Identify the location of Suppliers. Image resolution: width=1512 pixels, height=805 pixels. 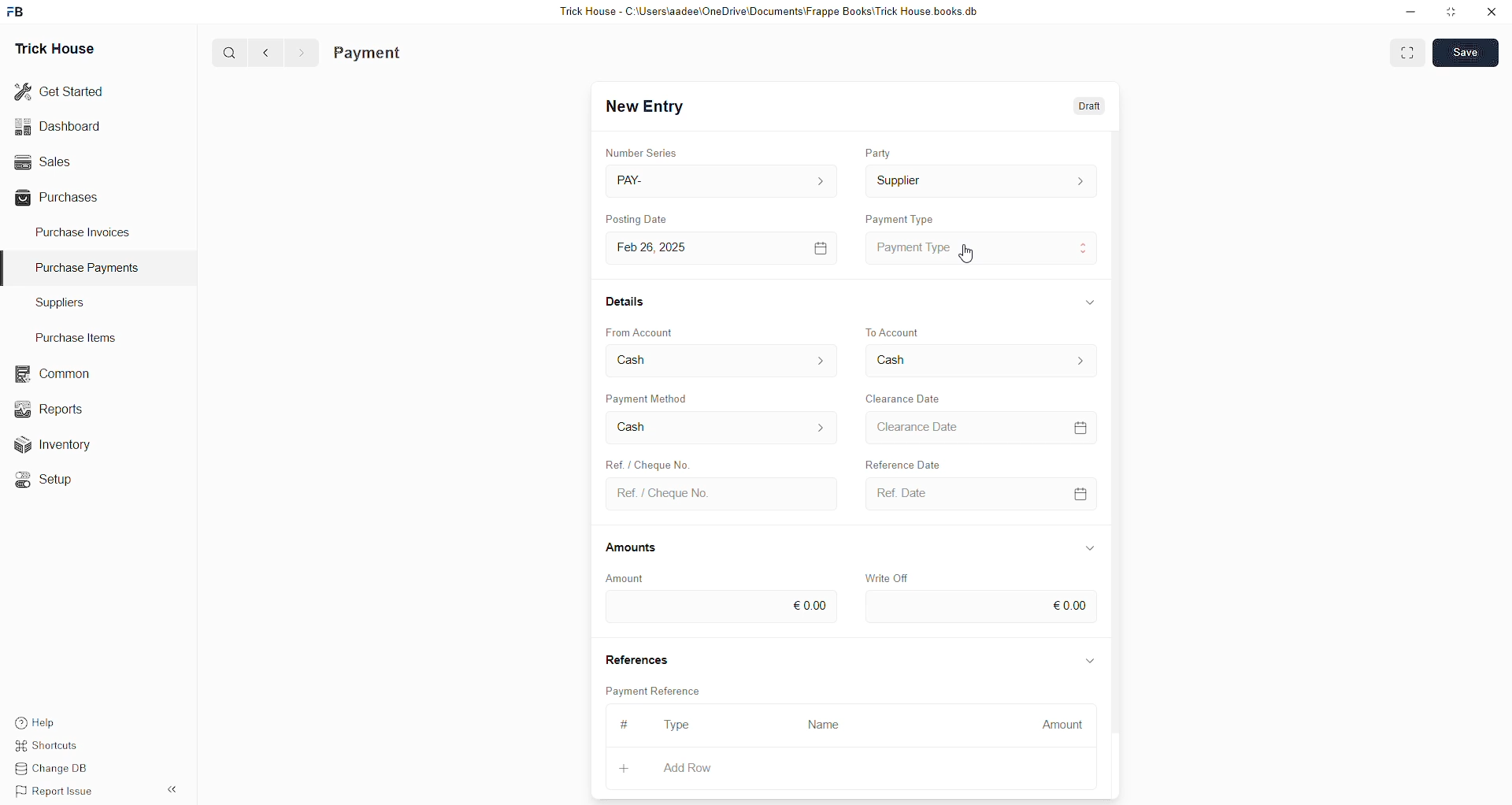
(77, 304).